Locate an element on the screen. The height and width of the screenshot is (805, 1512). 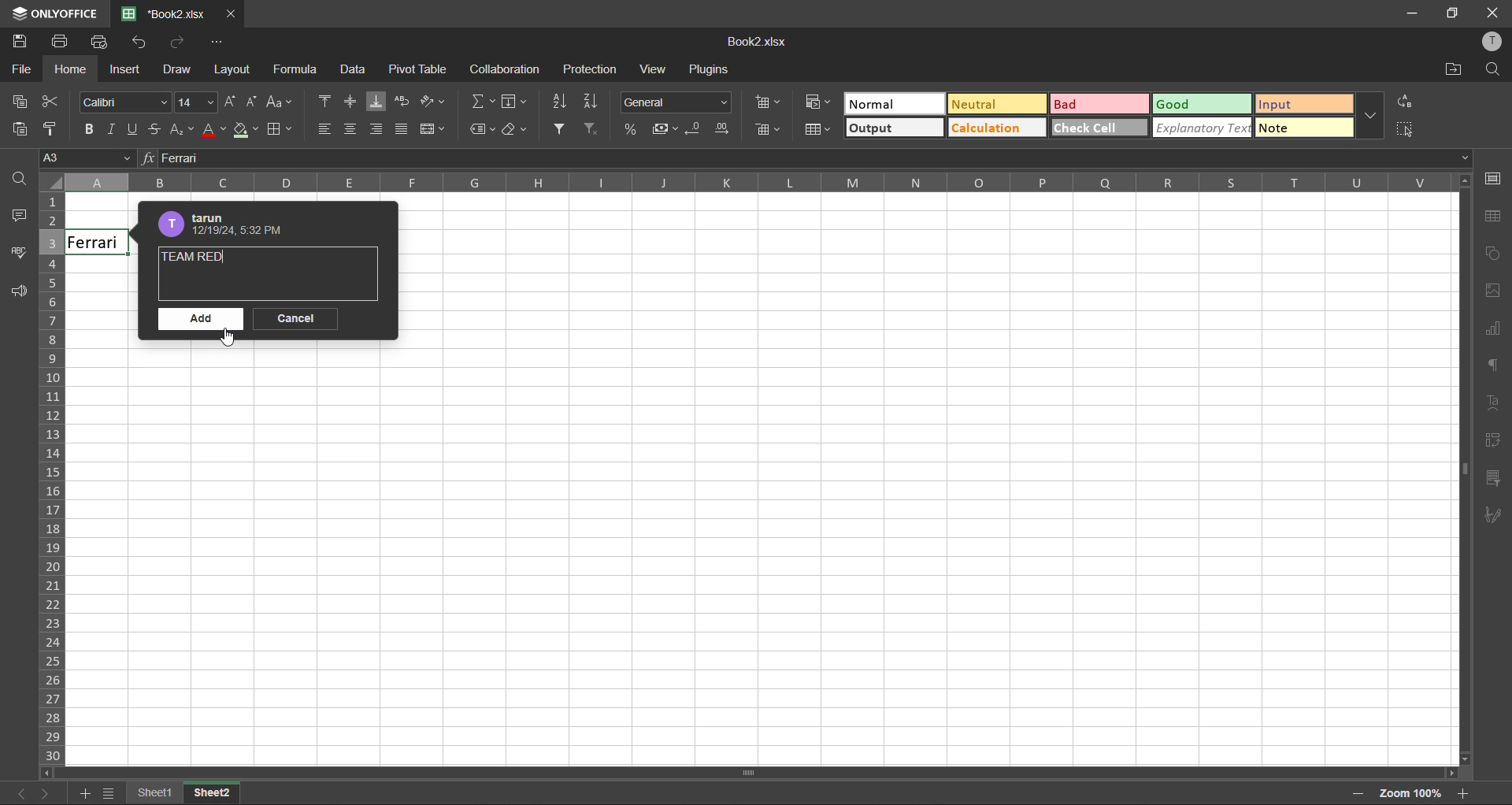
fill color is located at coordinates (243, 129).